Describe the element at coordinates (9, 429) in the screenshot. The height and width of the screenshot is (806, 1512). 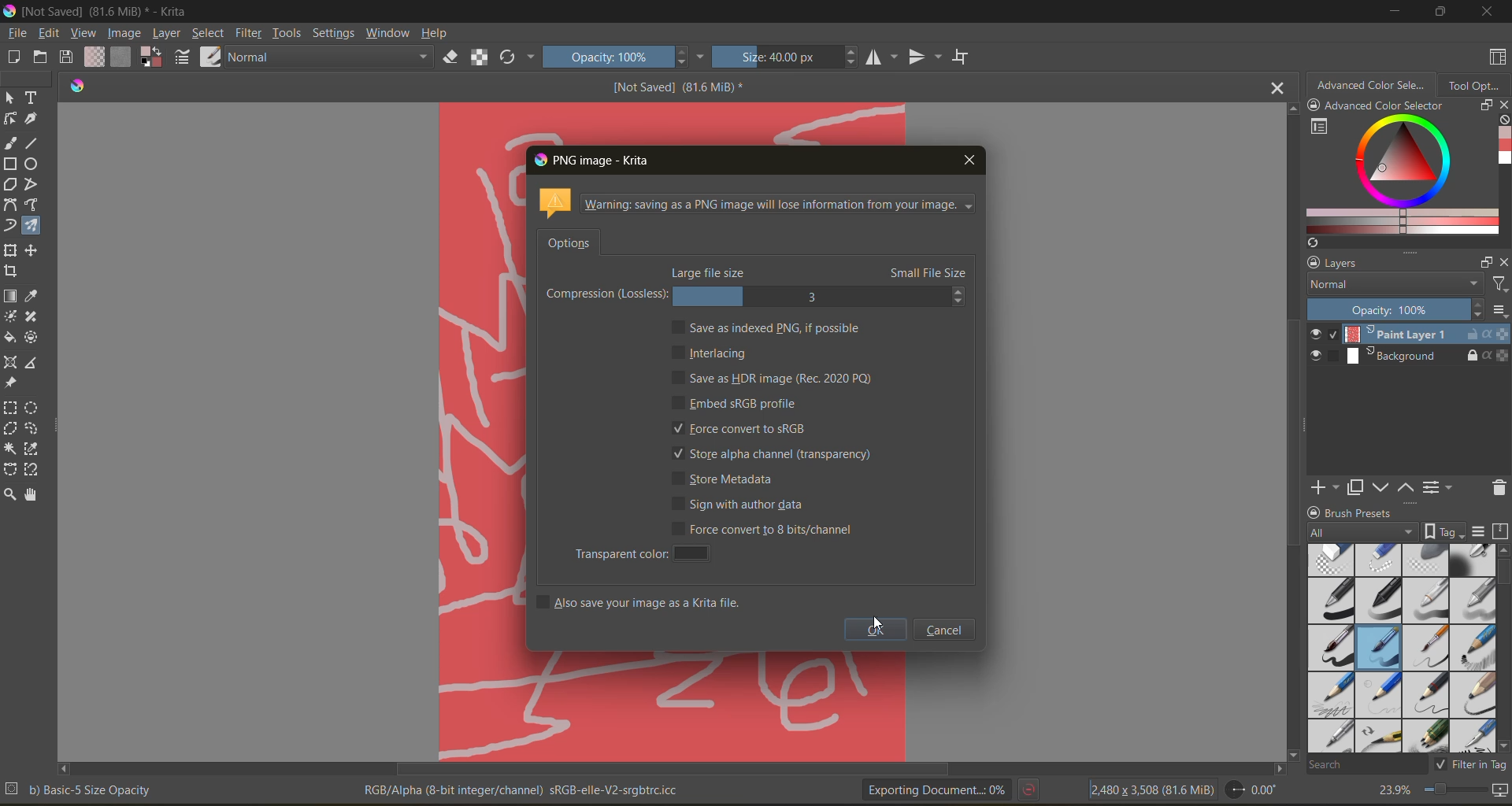
I see `tool` at that location.